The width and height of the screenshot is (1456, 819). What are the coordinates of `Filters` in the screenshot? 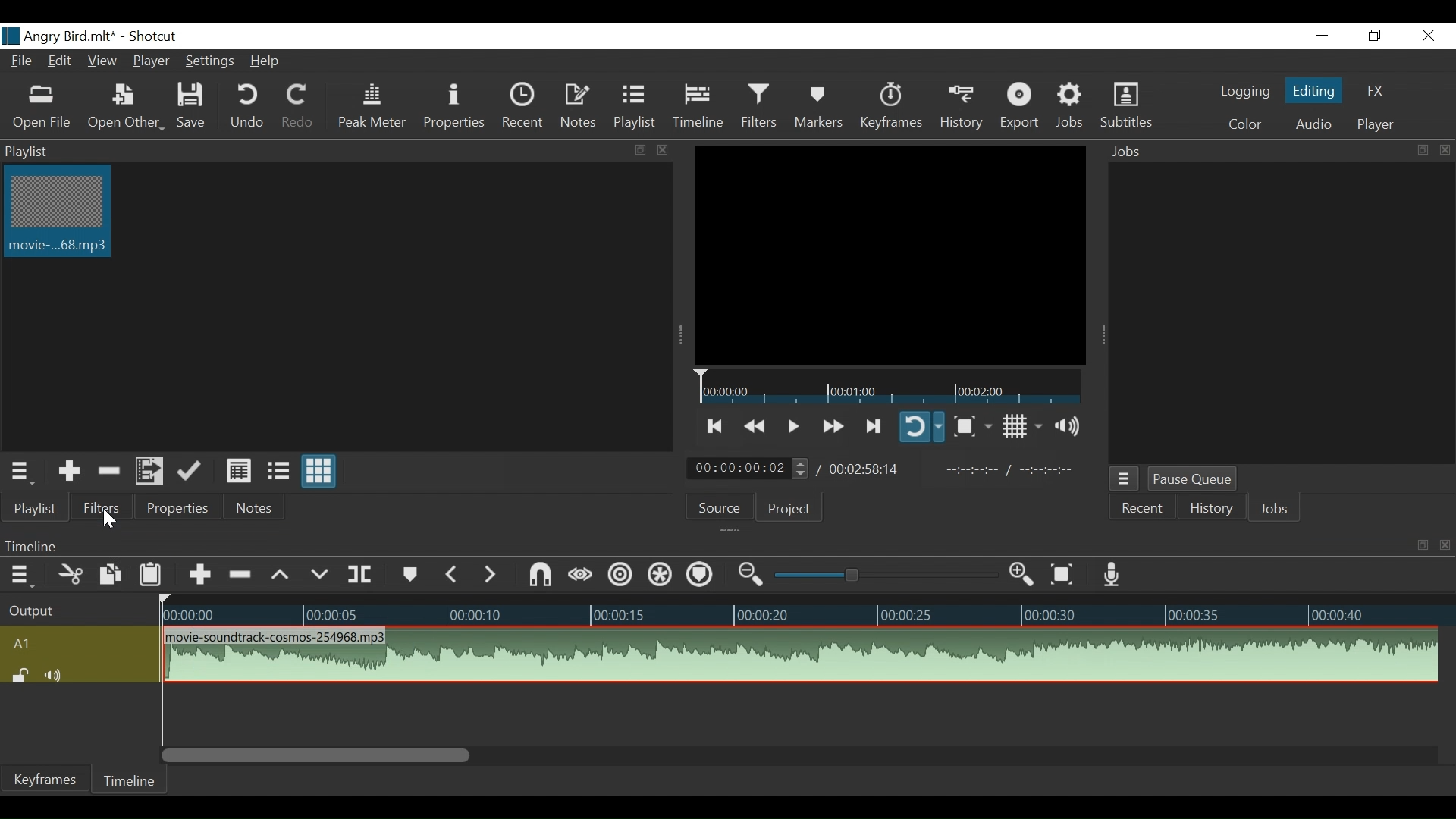 It's located at (759, 106).